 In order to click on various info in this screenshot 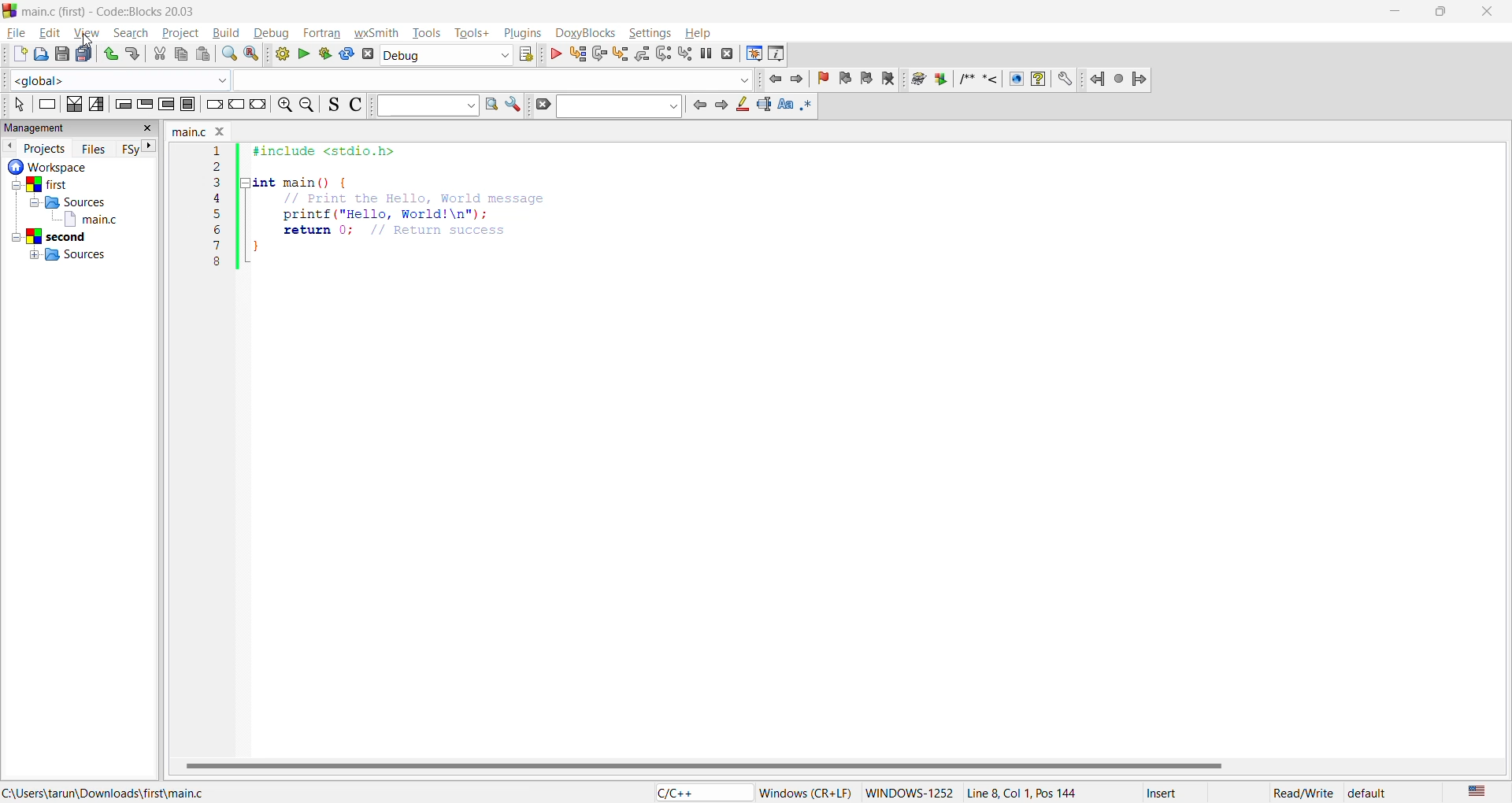, I will do `click(780, 54)`.